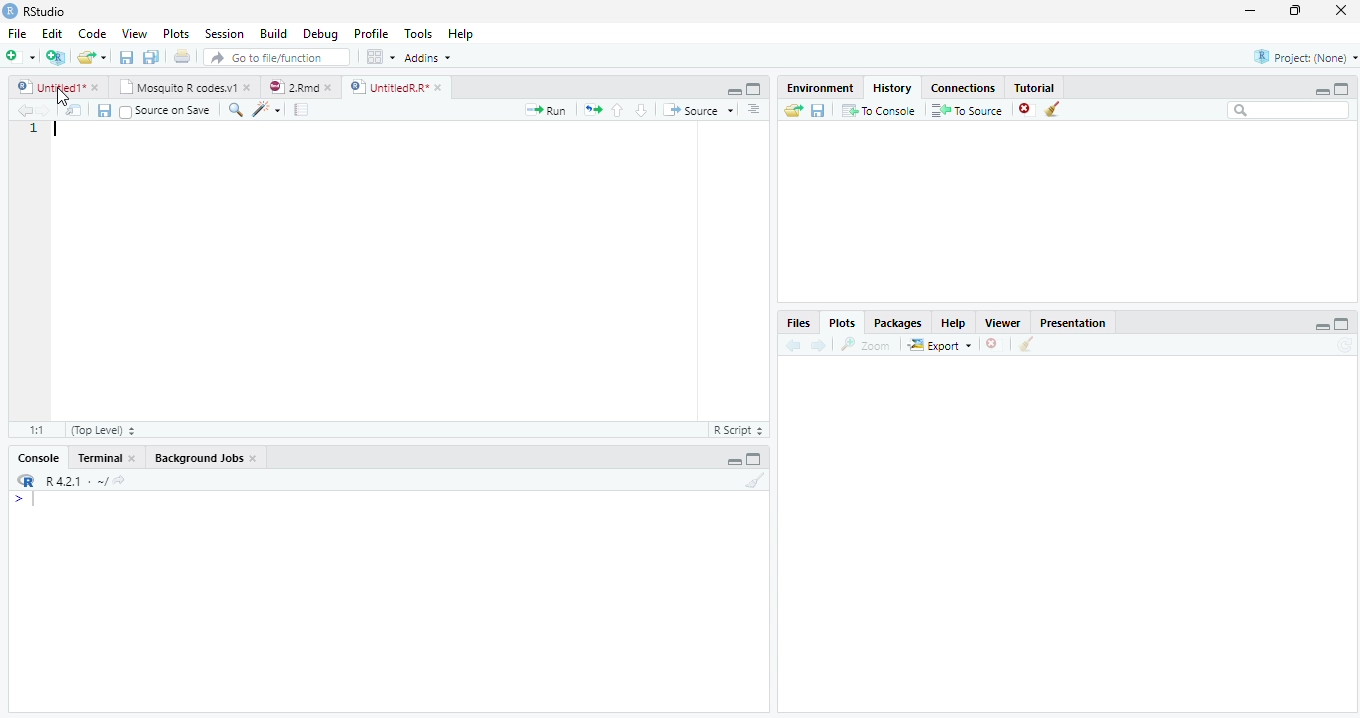 The height and width of the screenshot is (718, 1360). Describe the element at coordinates (795, 345) in the screenshot. I see `Back` at that location.